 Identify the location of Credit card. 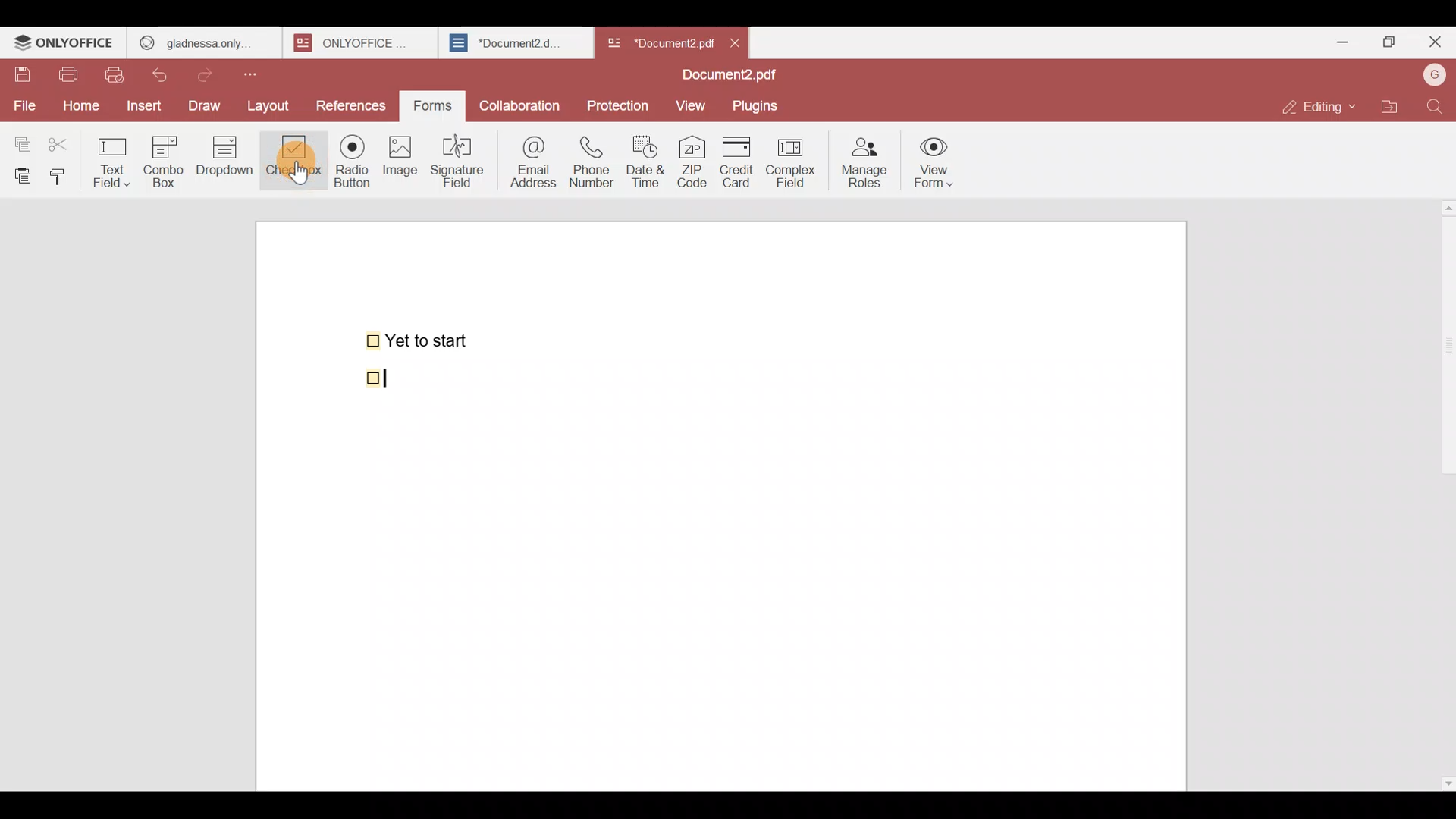
(733, 163).